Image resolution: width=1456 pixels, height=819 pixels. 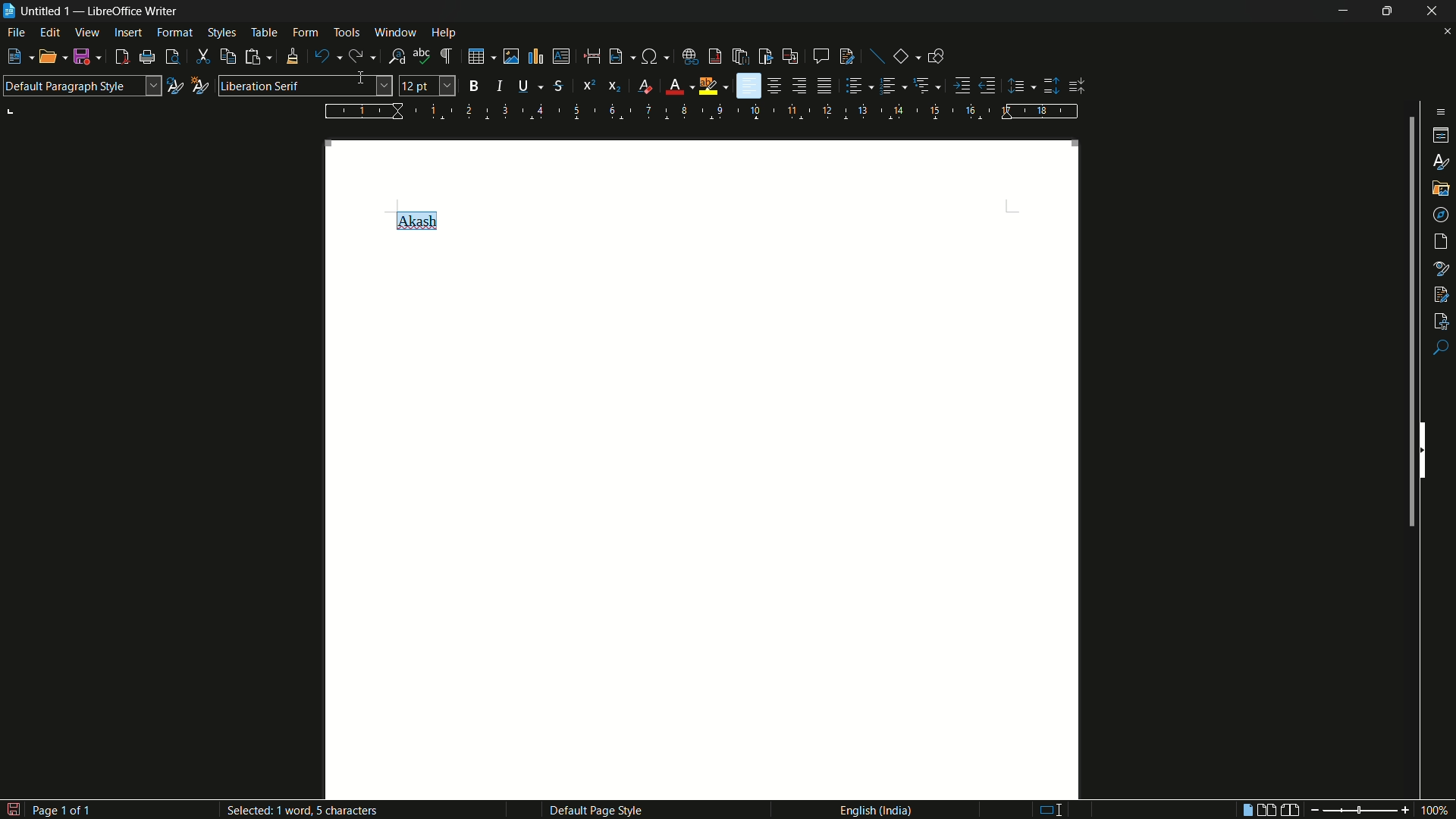 I want to click on font size, so click(x=428, y=86).